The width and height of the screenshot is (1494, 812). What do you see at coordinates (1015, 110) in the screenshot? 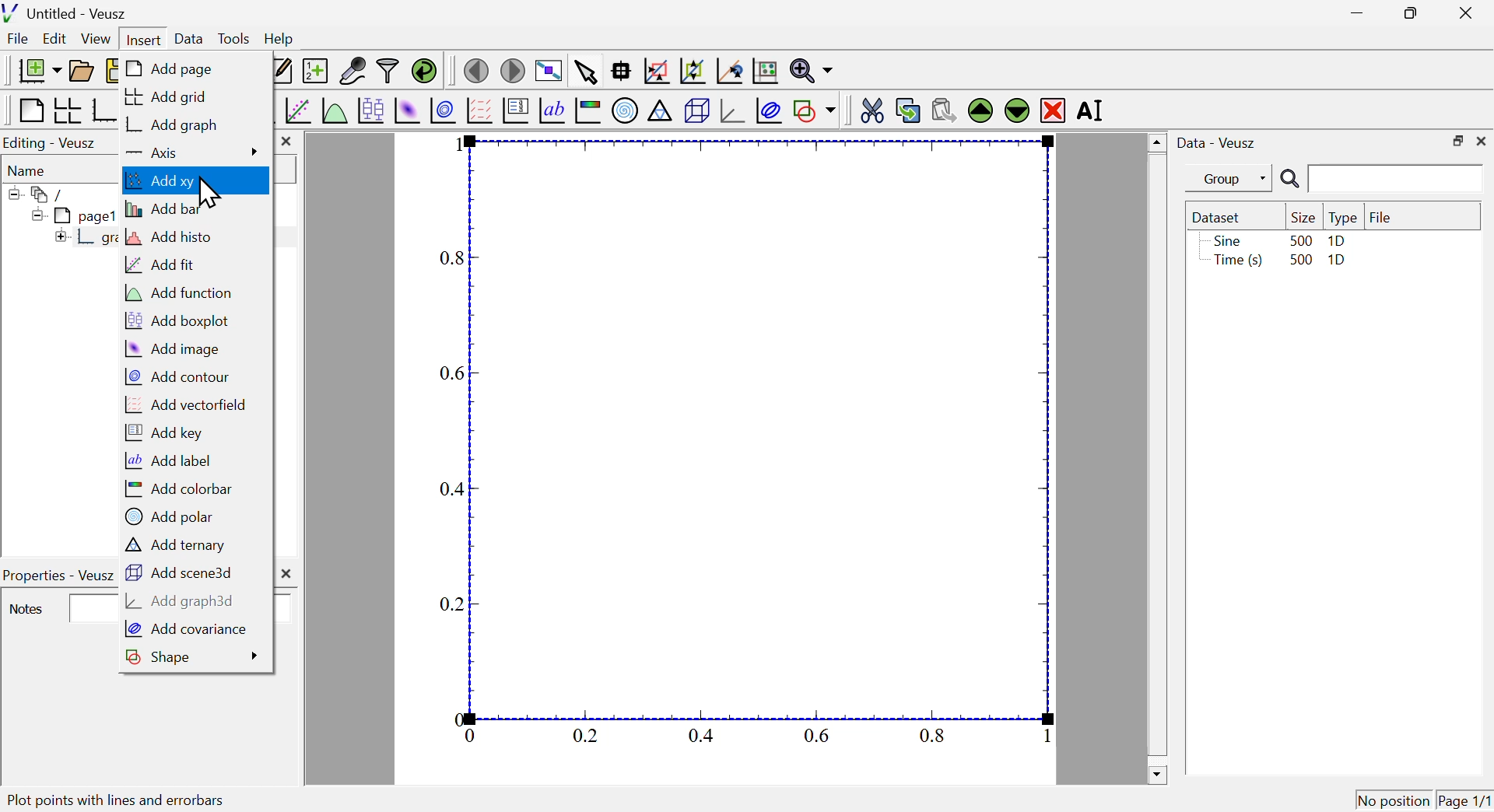
I see `move the selected widget down` at bounding box center [1015, 110].